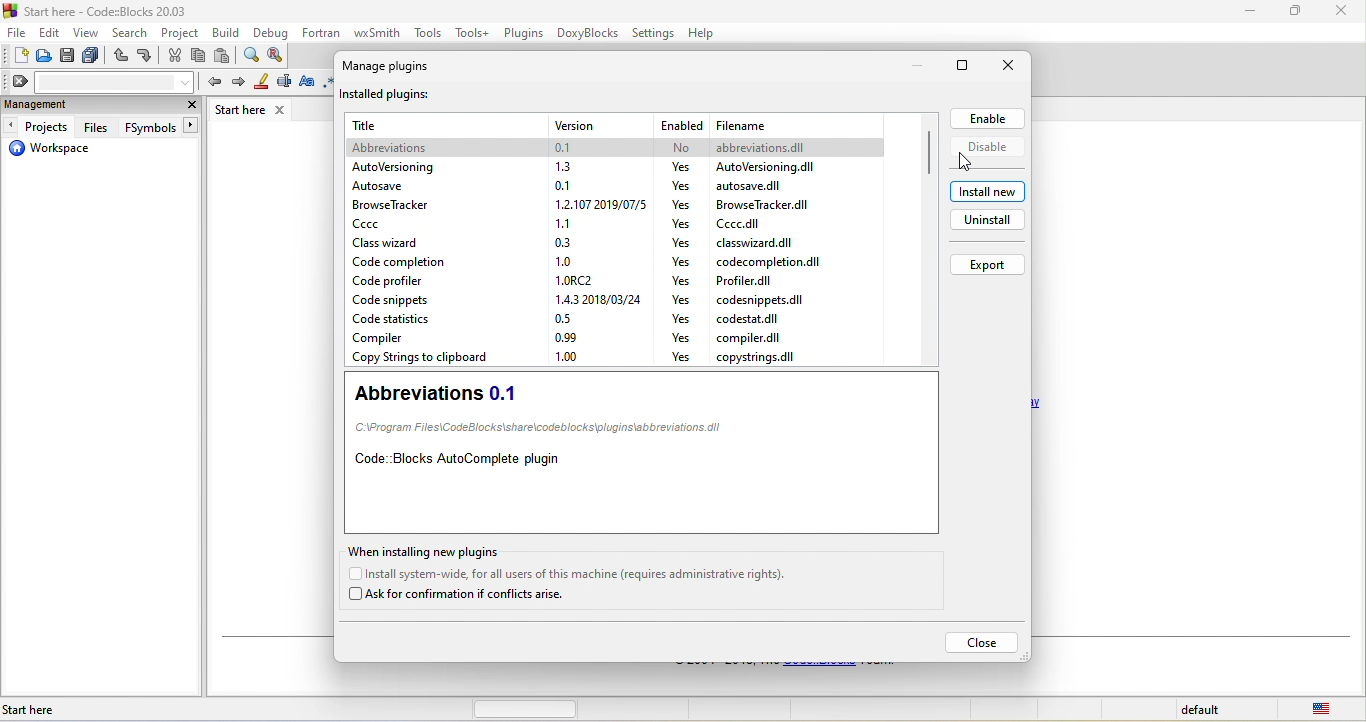  What do you see at coordinates (198, 55) in the screenshot?
I see `copy` at bounding box center [198, 55].